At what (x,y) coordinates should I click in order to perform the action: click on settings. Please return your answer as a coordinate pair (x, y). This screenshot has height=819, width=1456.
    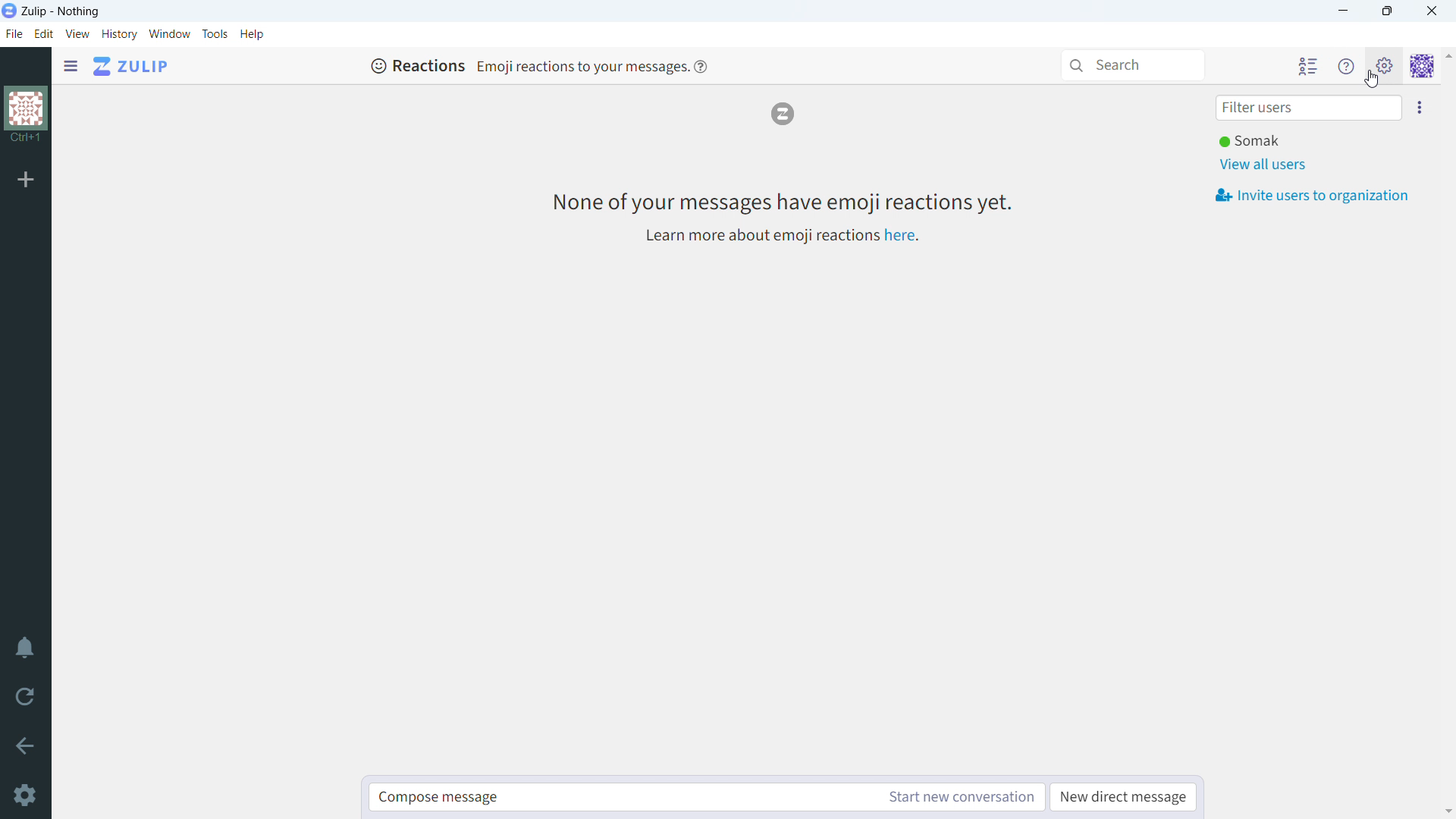
    Looking at the image, I should click on (24, 795).